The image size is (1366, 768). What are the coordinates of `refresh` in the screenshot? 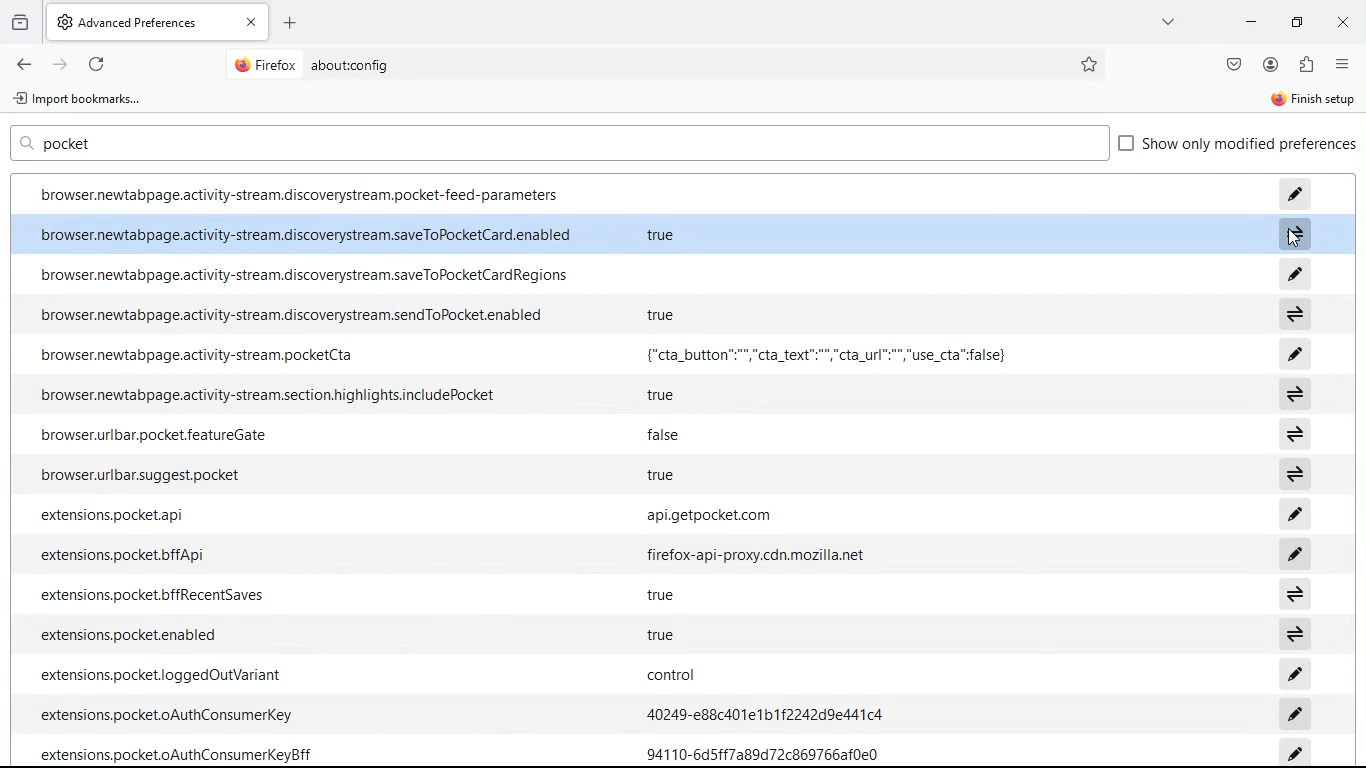 It's located at (99, 66).